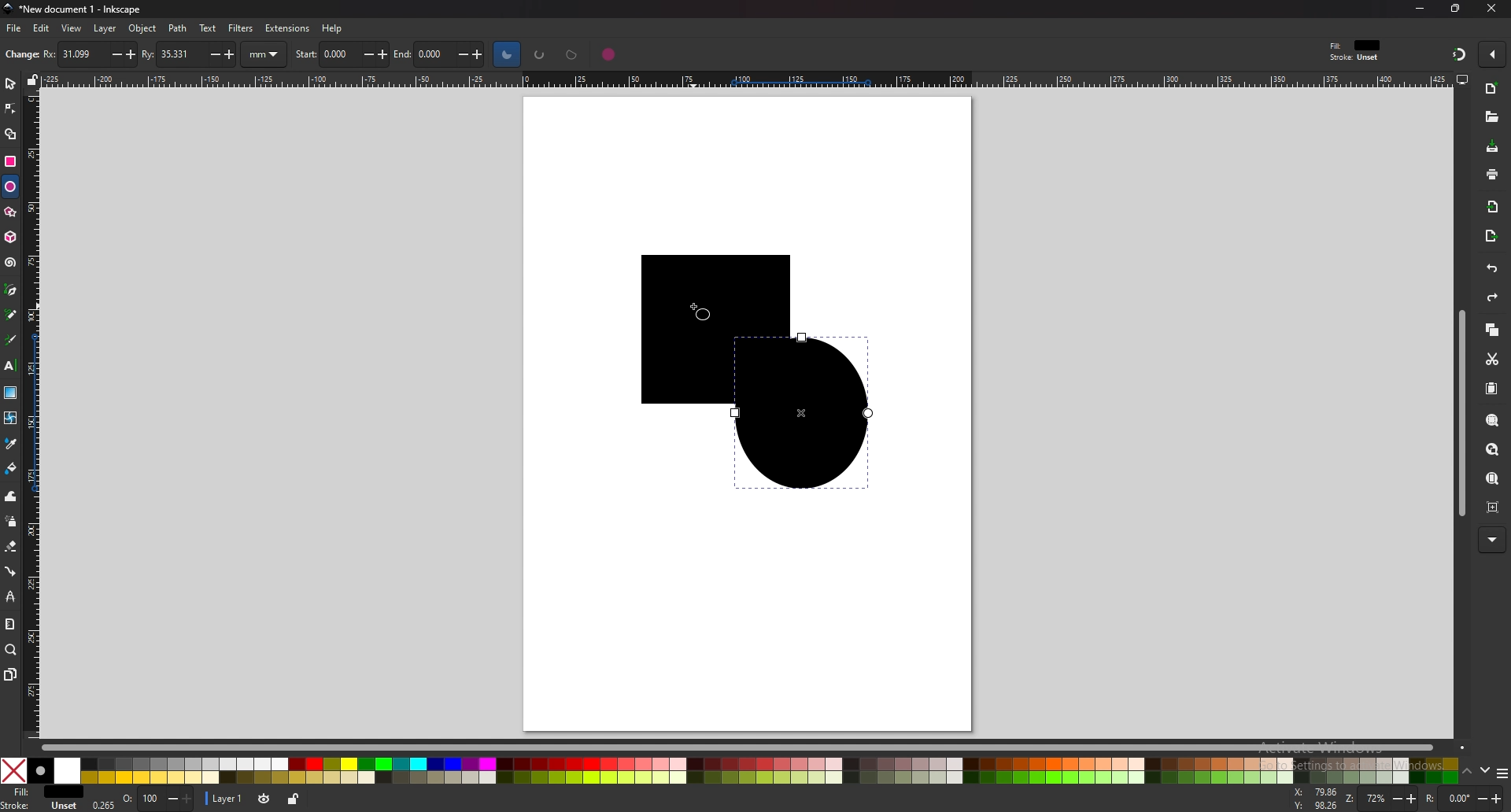 The width and height of the screenshot is (1511, 812). Describe the element at coordinates (106, 29) in the screenshot. I see `layer` at that location.